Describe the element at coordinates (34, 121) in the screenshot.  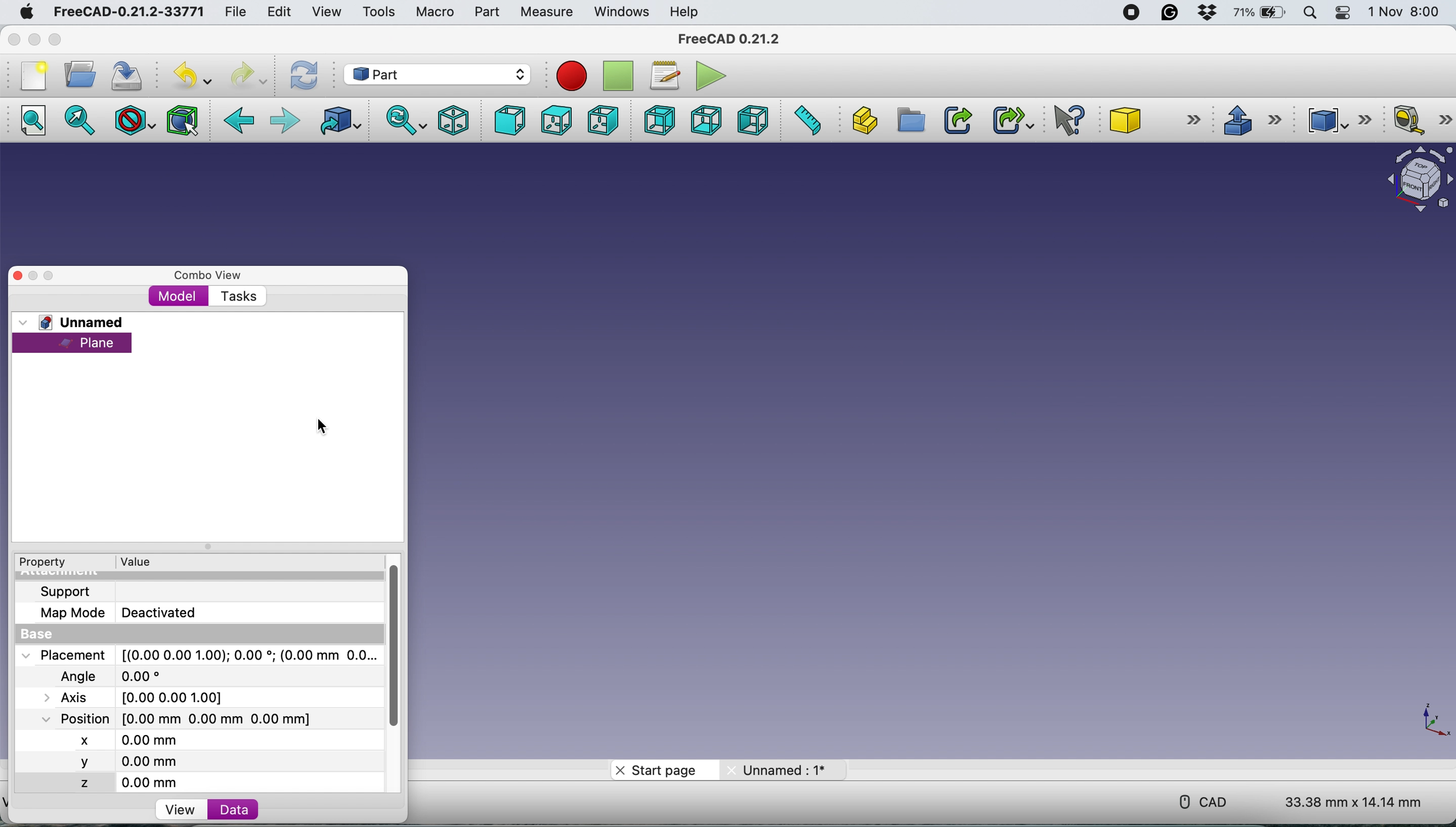
I see `fit all` at that location.